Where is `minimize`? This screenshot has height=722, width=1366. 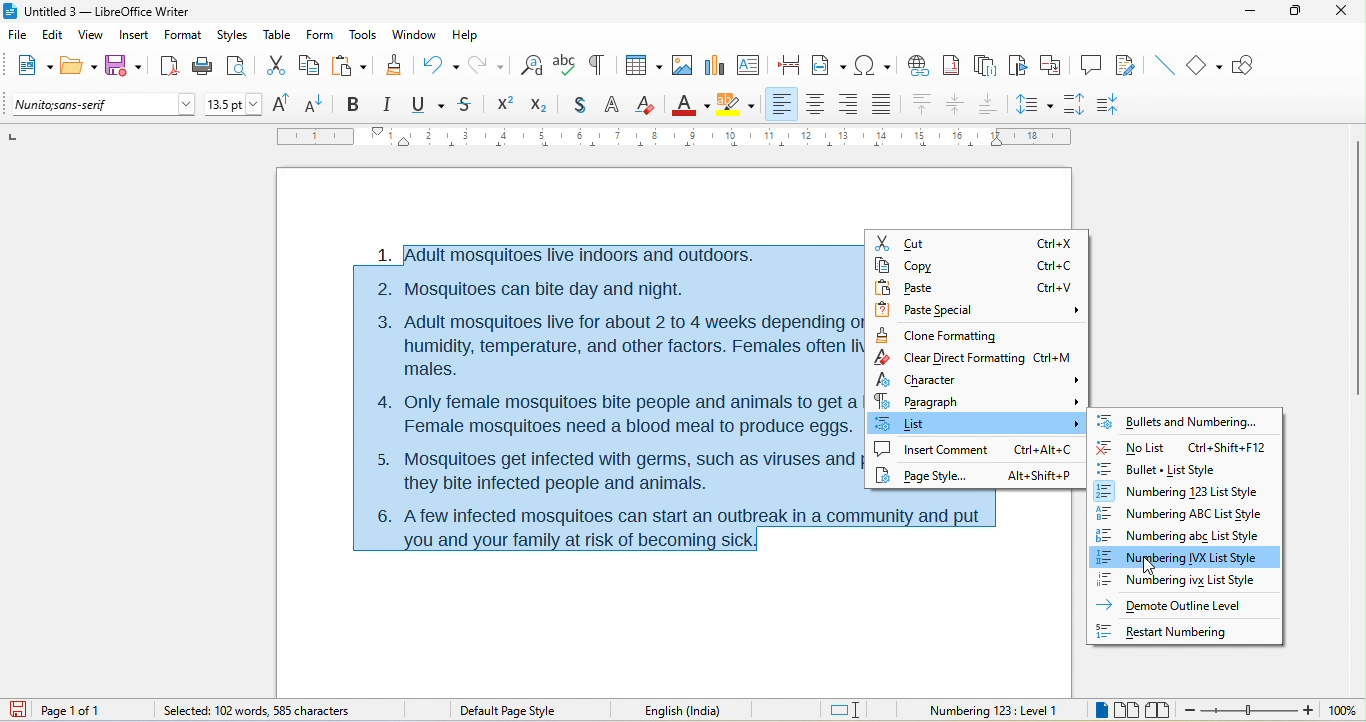
minimize is located at coordinates (1256, 17).